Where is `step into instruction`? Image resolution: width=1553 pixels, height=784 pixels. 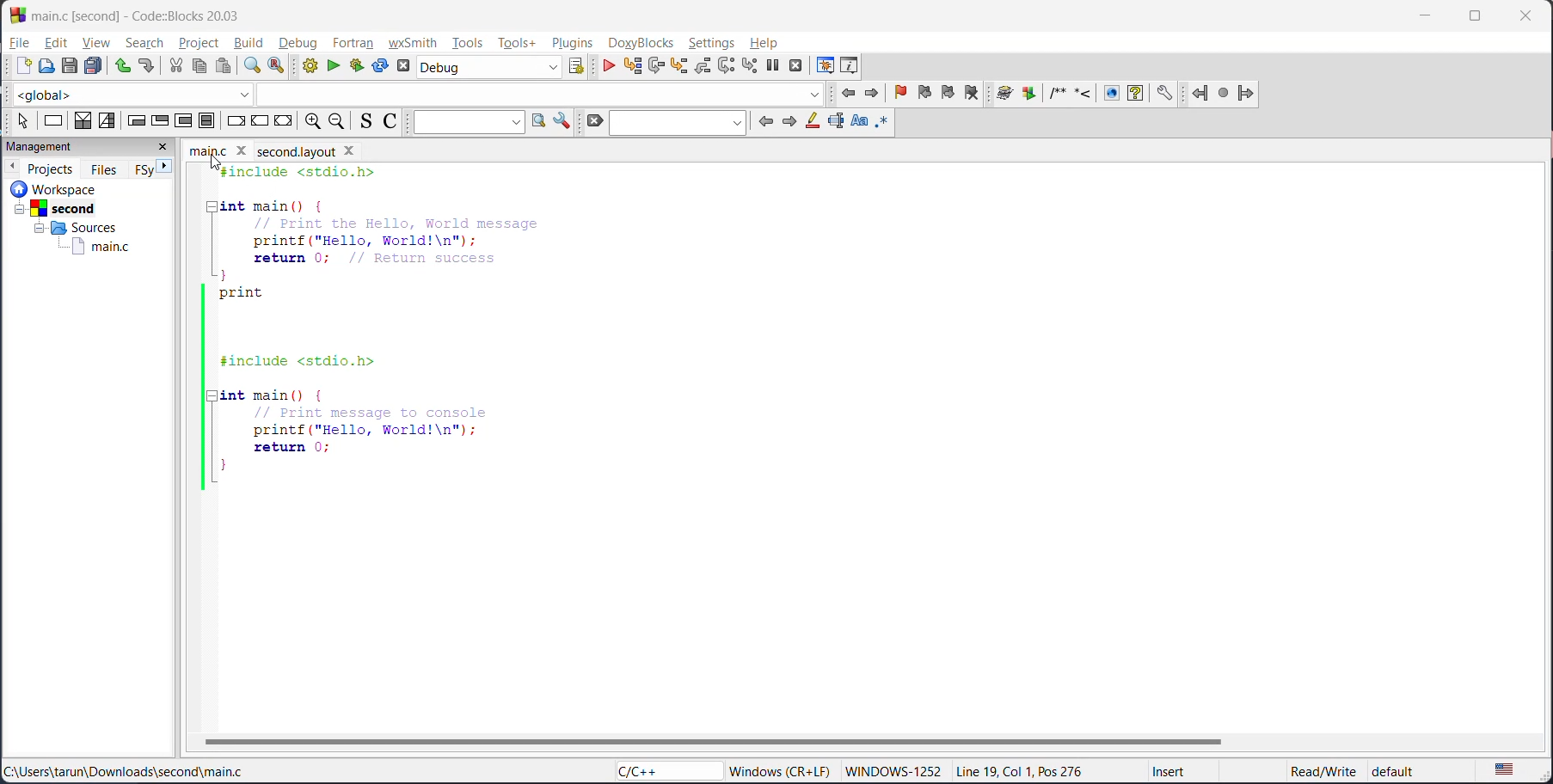
step into instruction is located at coordinates (746, 65).